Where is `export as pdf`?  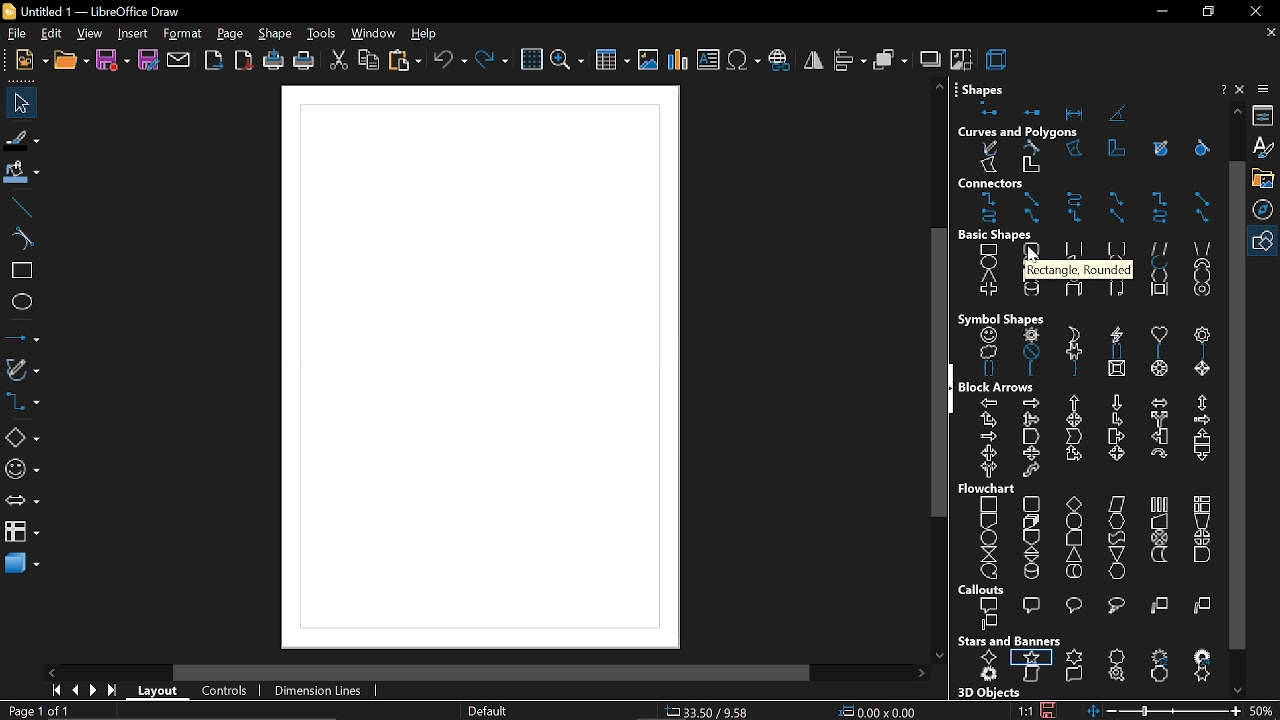 export as pdf is located at coordinates (244, 60).